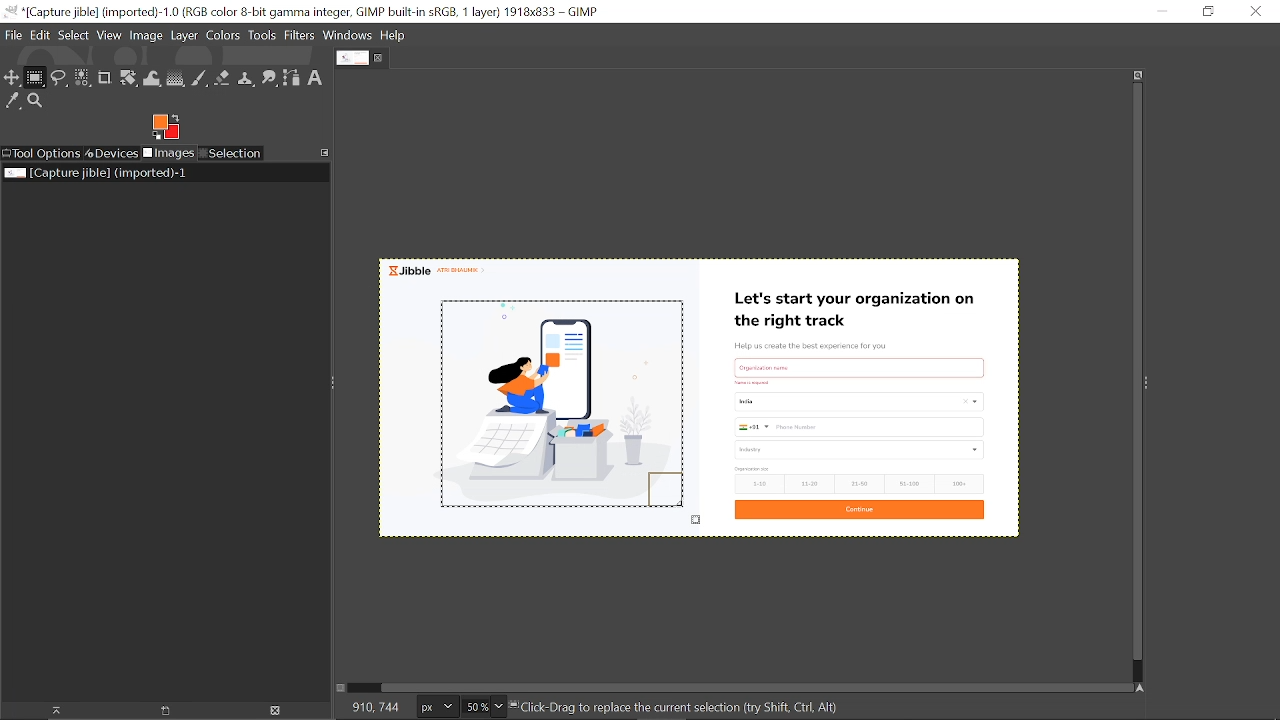 The image size is (1280, 720). I want to click on industry, so click(861, 450).